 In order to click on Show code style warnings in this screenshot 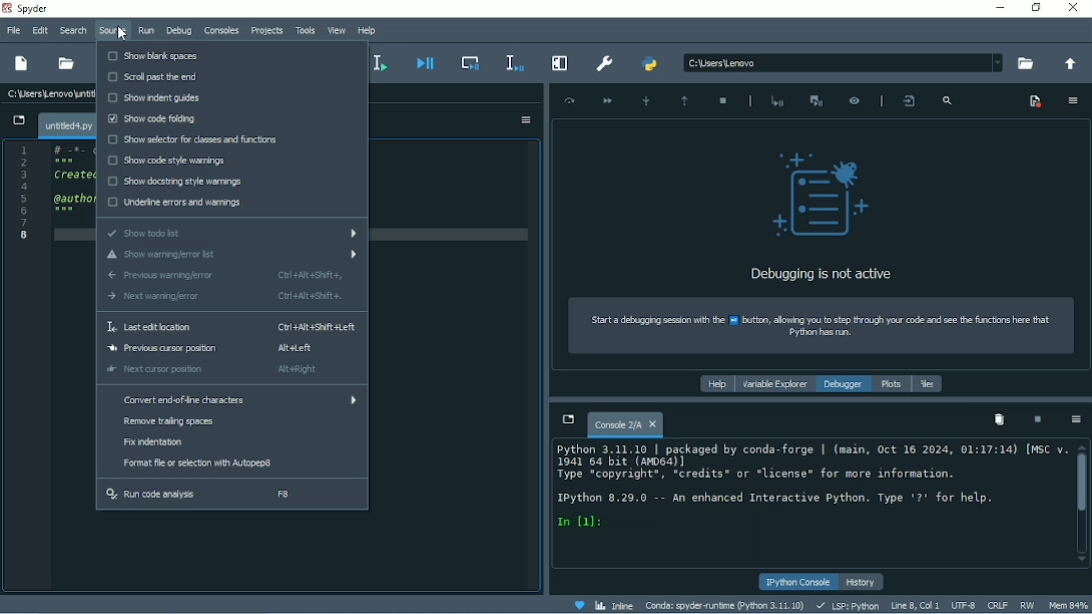, I will do `click(229, 162)`.